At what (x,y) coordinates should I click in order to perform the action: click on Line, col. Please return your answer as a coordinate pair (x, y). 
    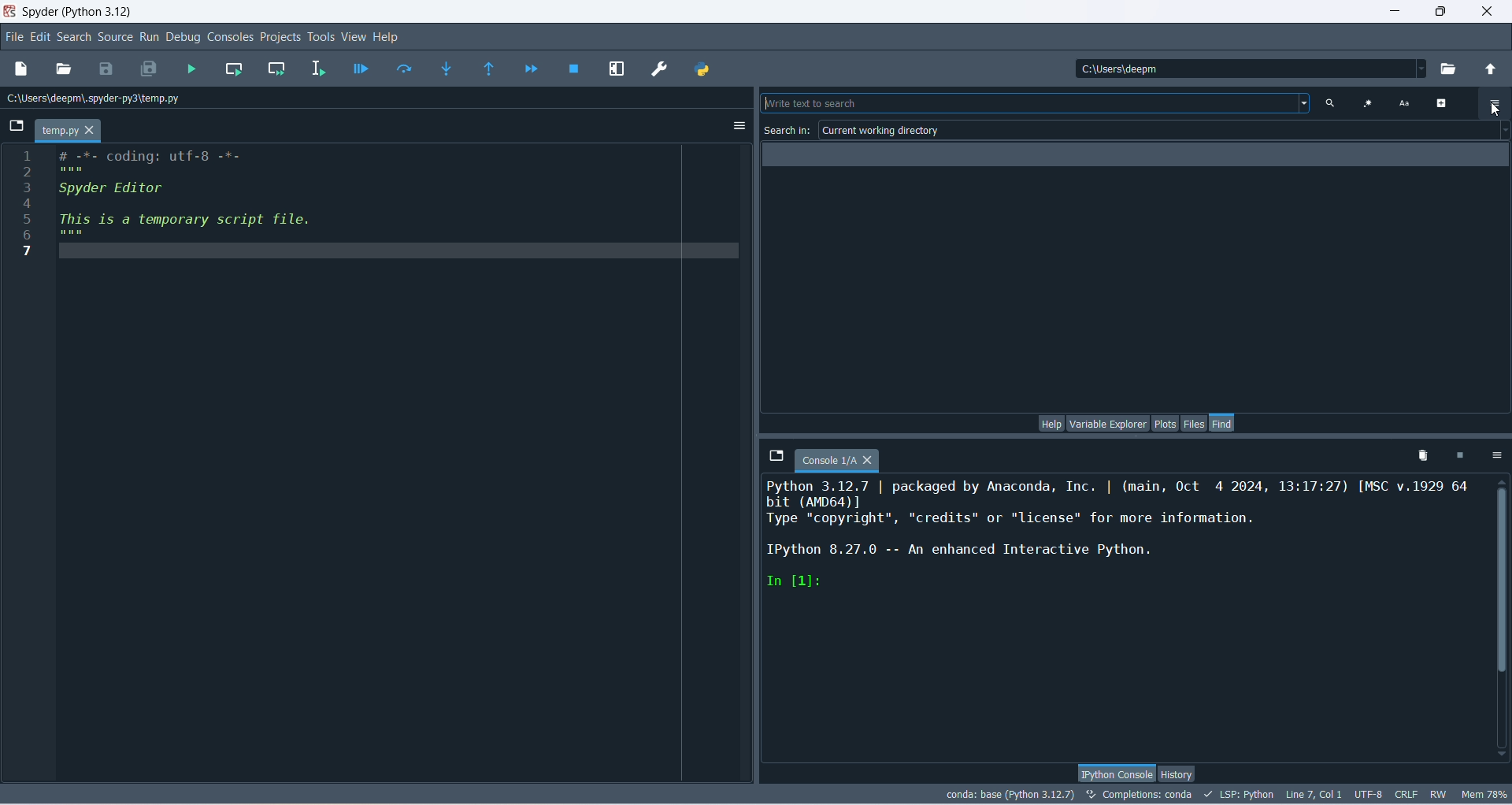
    Looking at the image, I should click on (1312, 794).